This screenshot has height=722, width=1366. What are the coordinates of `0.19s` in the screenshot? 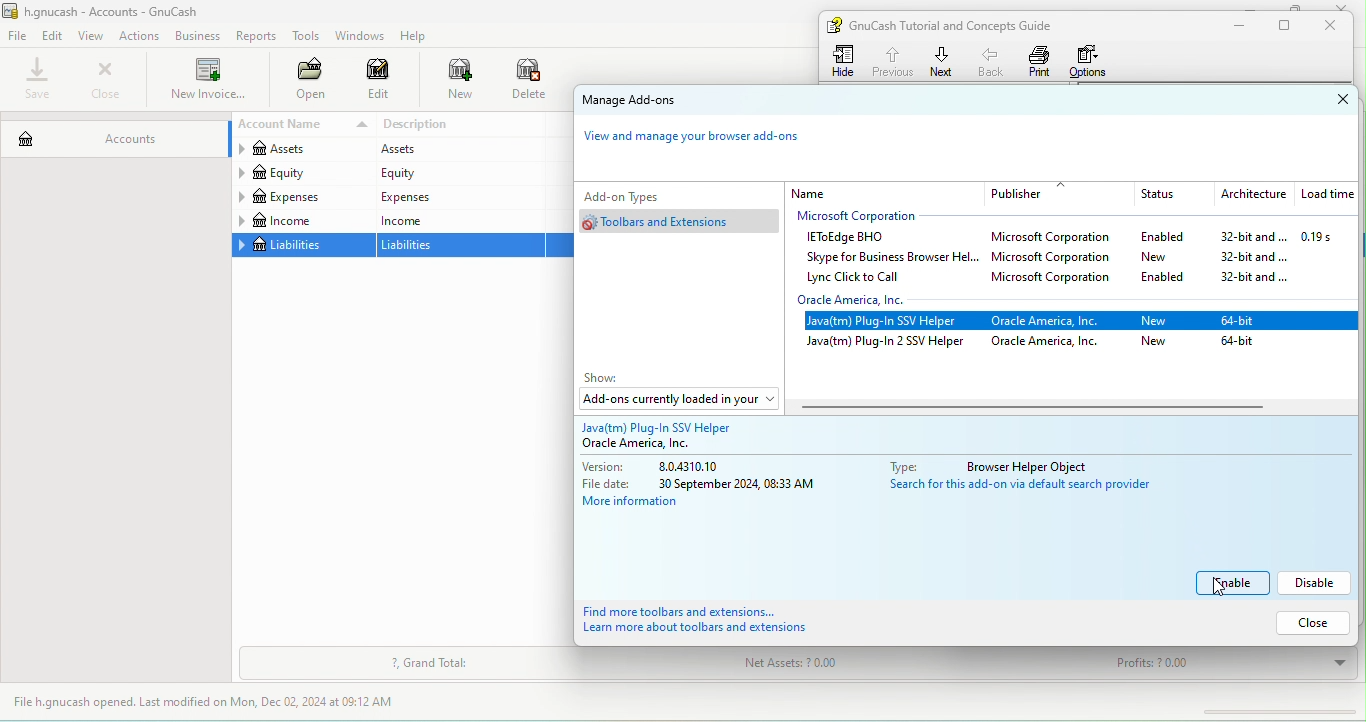 It's located at (1328, 237).